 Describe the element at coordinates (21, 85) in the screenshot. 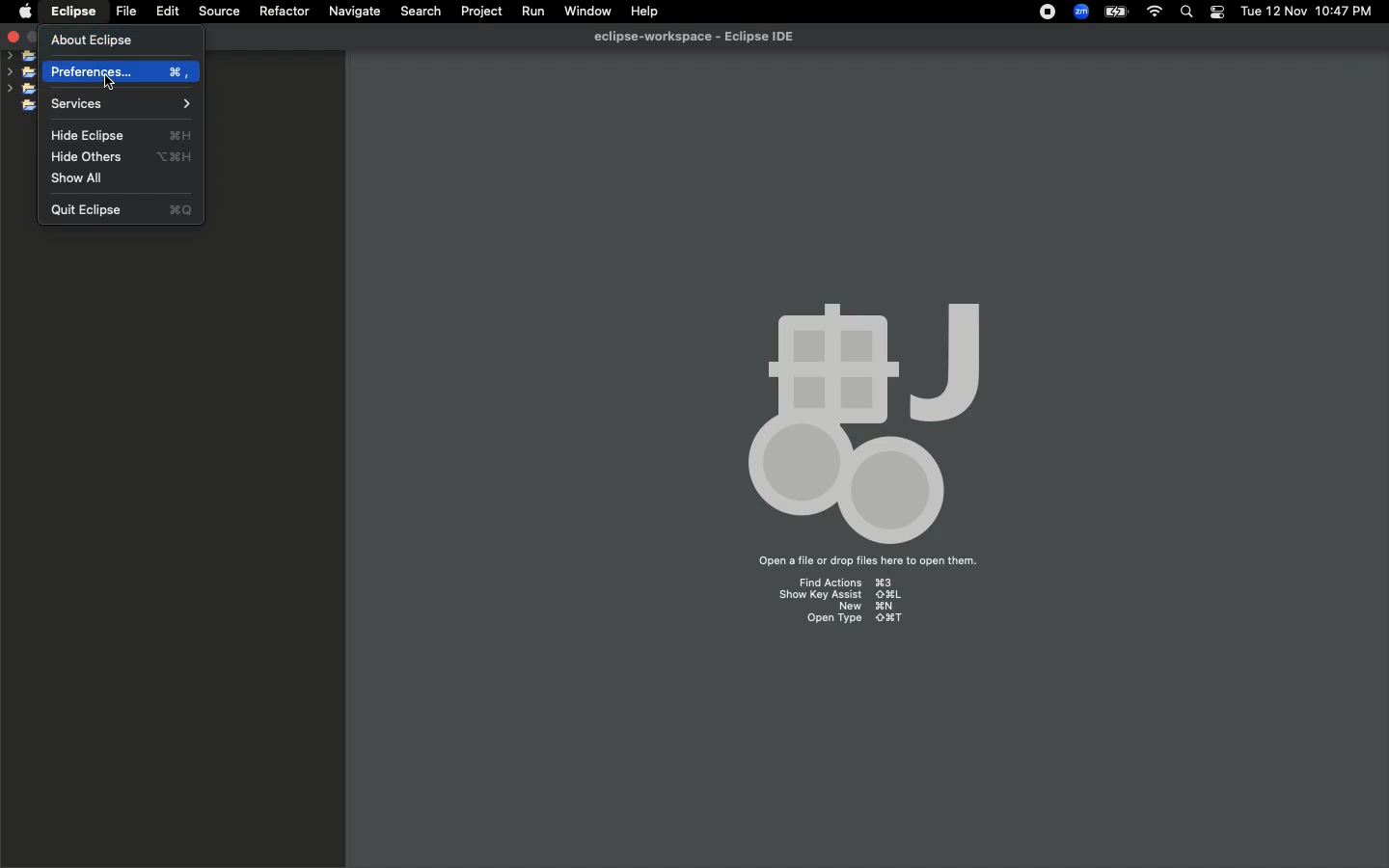

I see `Folder options` at that location.